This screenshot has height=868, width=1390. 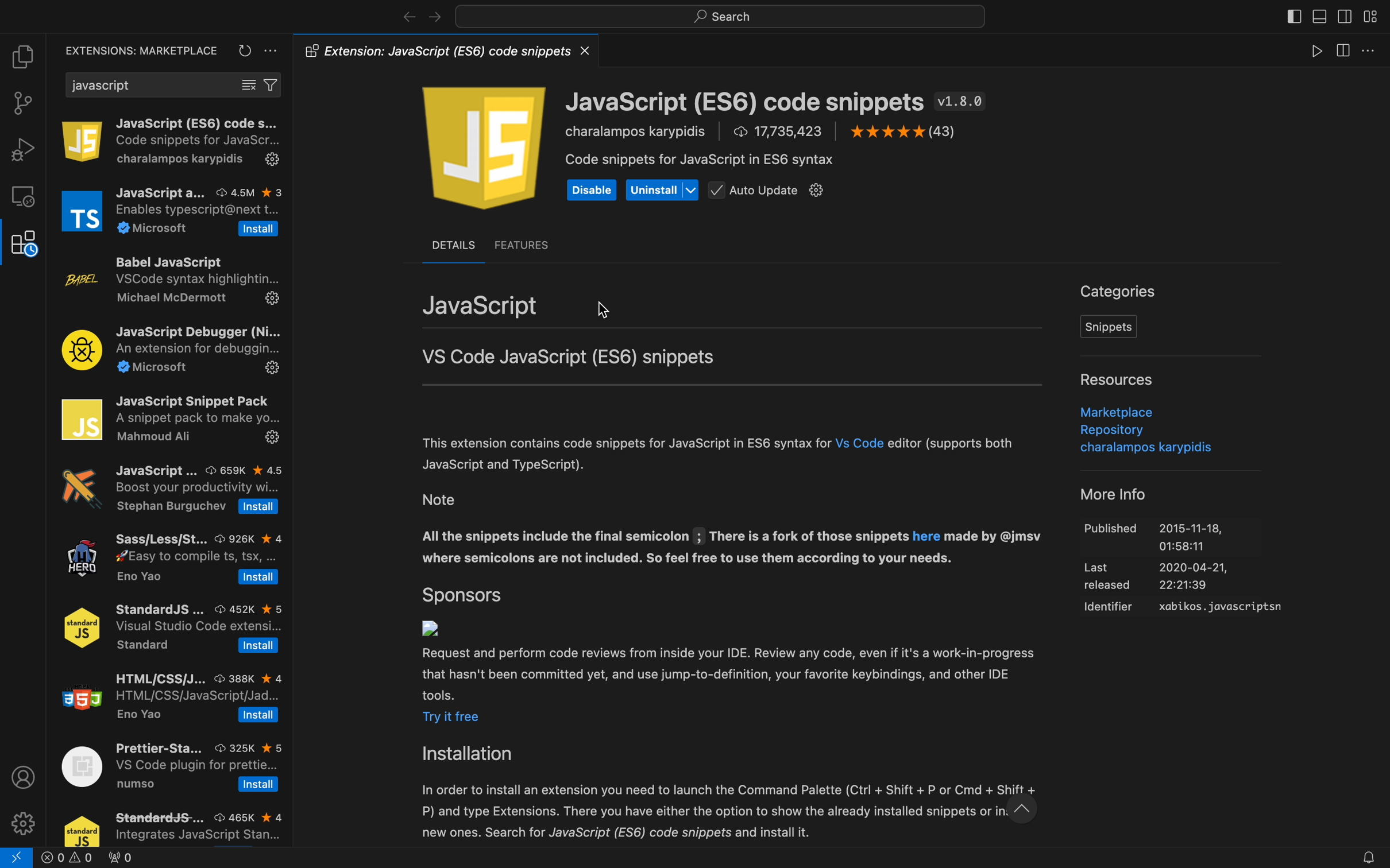 What do you see at coordinates (1343, 14) in the screenshot?
I see `toggle secondary bar` at bounding box center [1343, 14].